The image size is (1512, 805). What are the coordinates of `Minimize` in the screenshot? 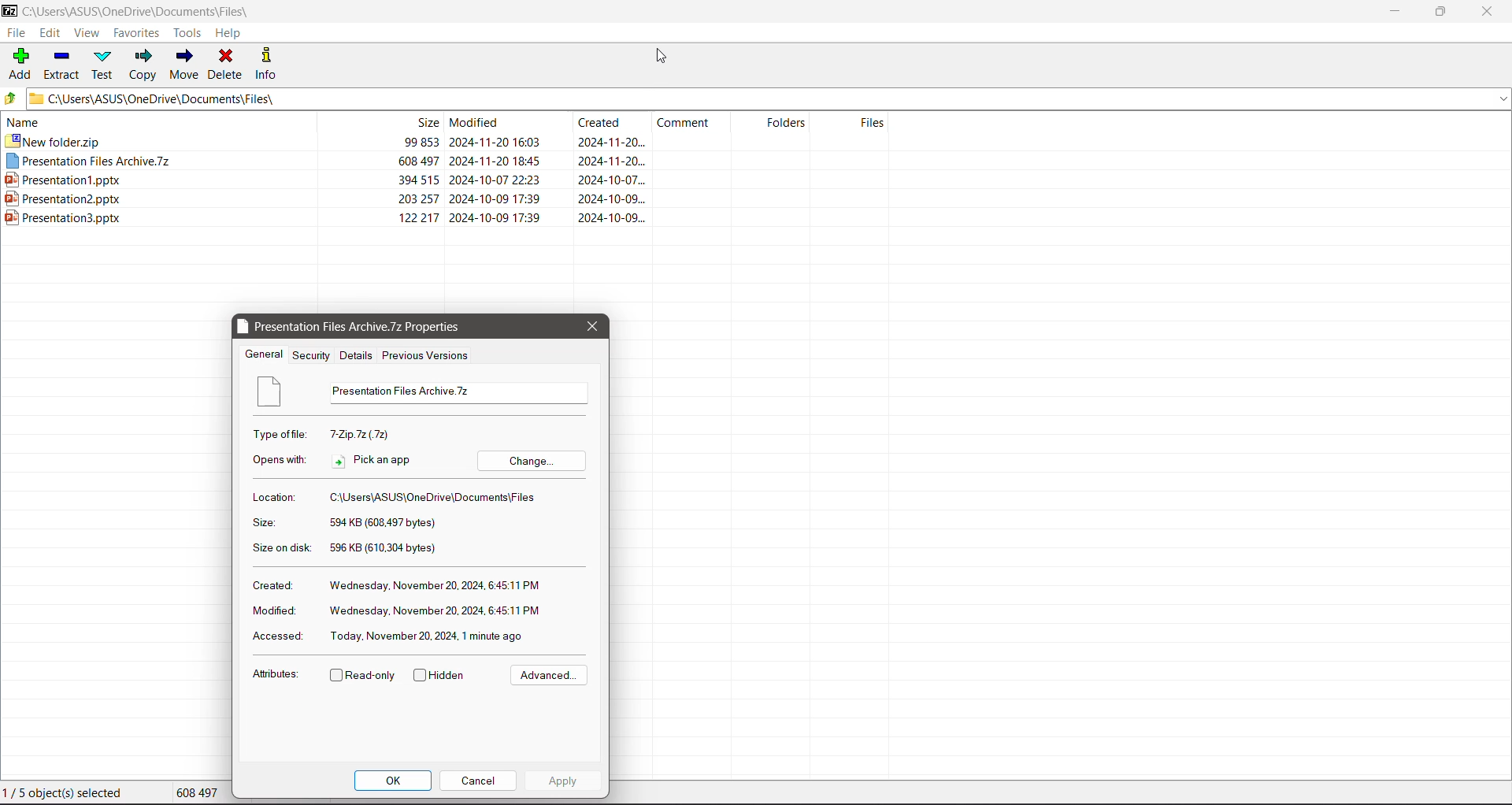 It's located at (1396, 10).